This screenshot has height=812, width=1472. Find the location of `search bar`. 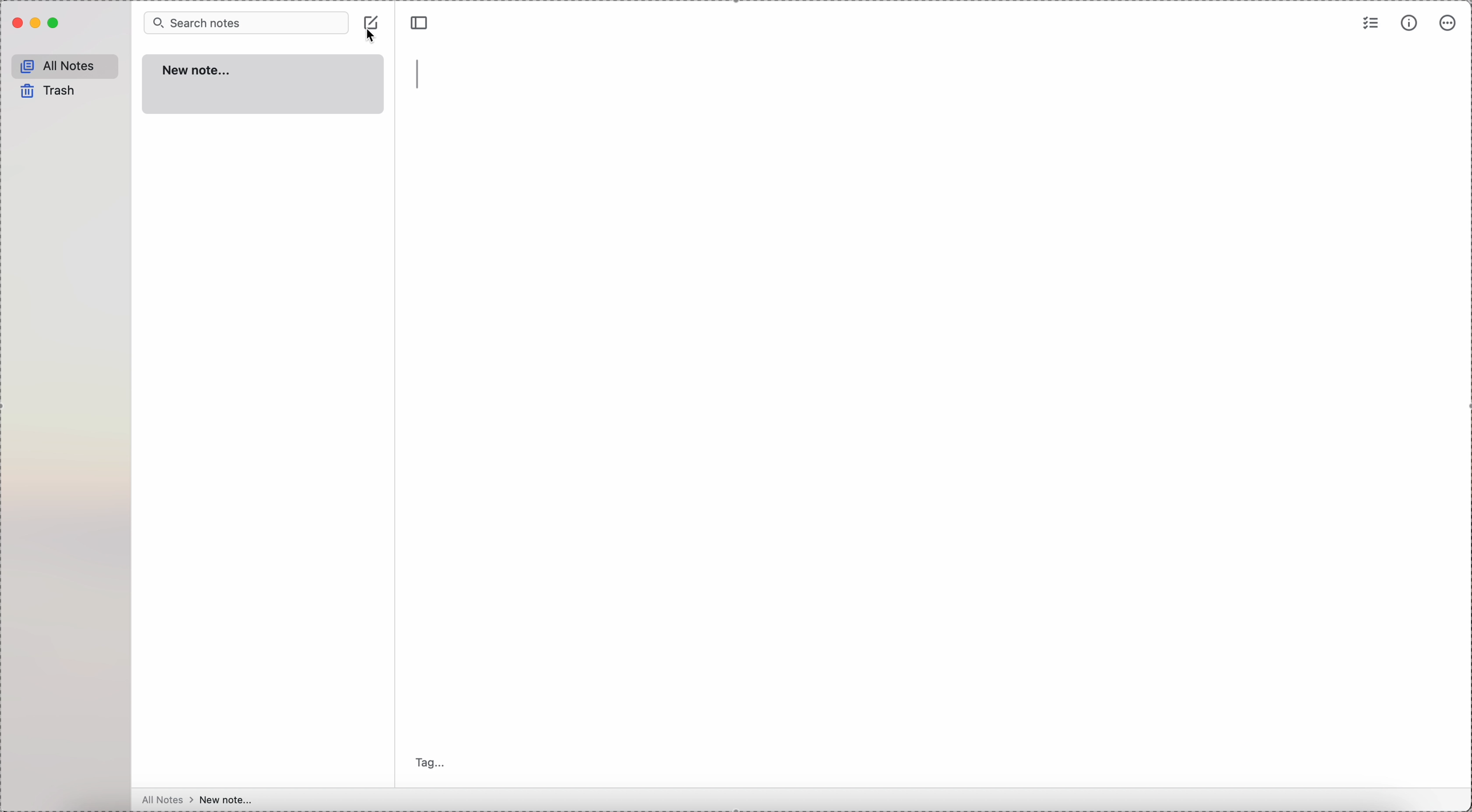

search bar is located at coordinates (245, 23).